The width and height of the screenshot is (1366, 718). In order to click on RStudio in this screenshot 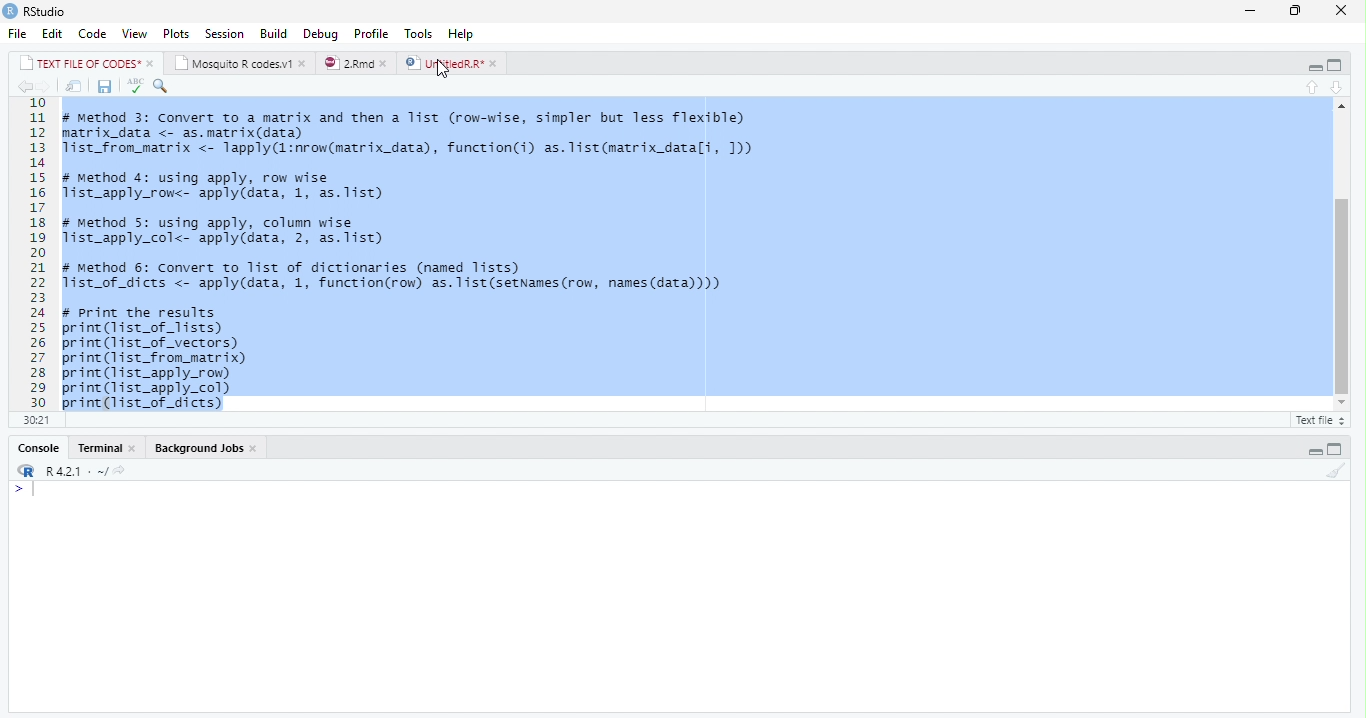, I will do `click(36, 11)`.